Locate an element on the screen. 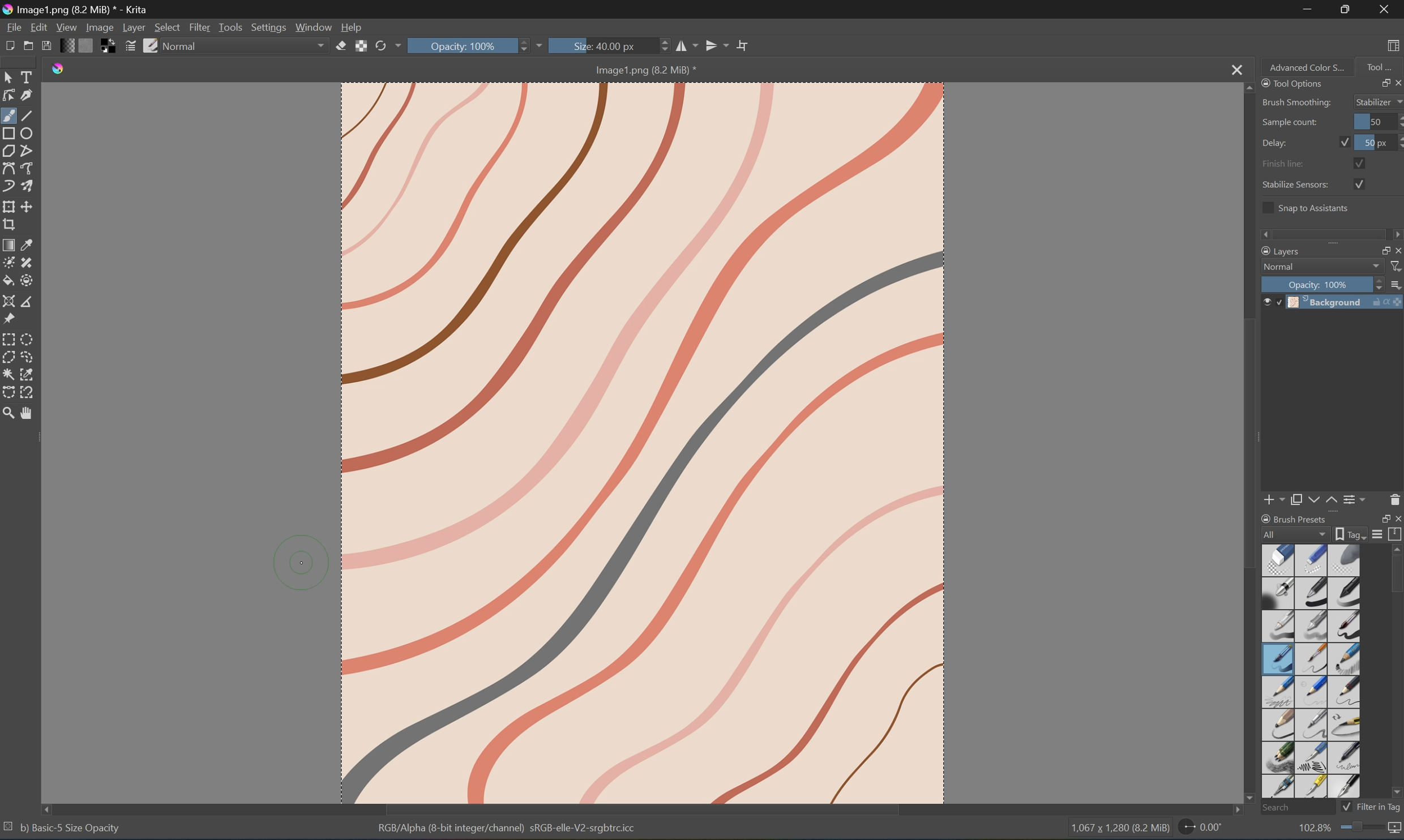 This screenshot has width=1404, height=840. All is located at coordinates (1295, 533).